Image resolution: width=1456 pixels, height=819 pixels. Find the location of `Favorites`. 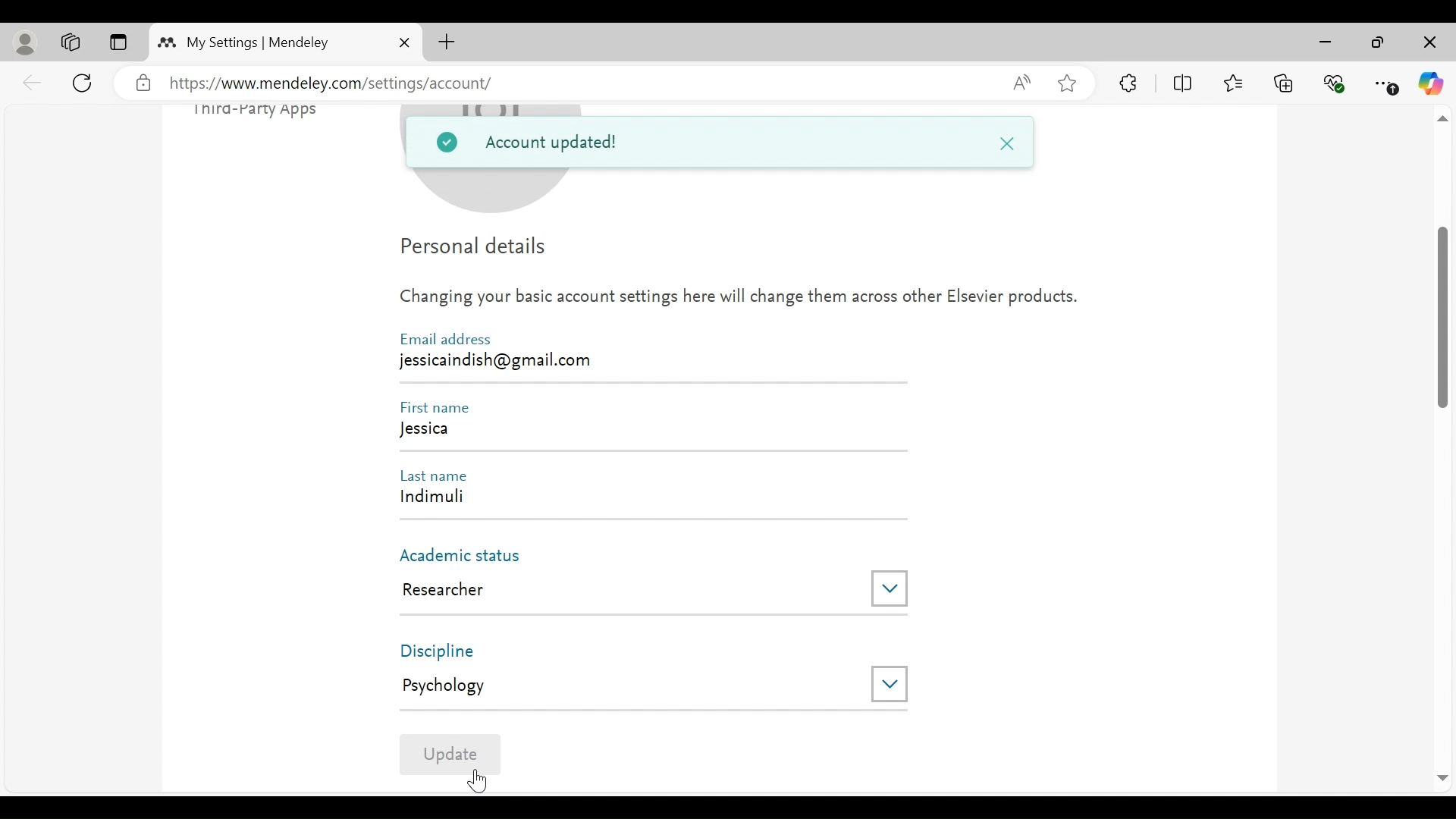

Favorites is located at coordinates (1232, 81).